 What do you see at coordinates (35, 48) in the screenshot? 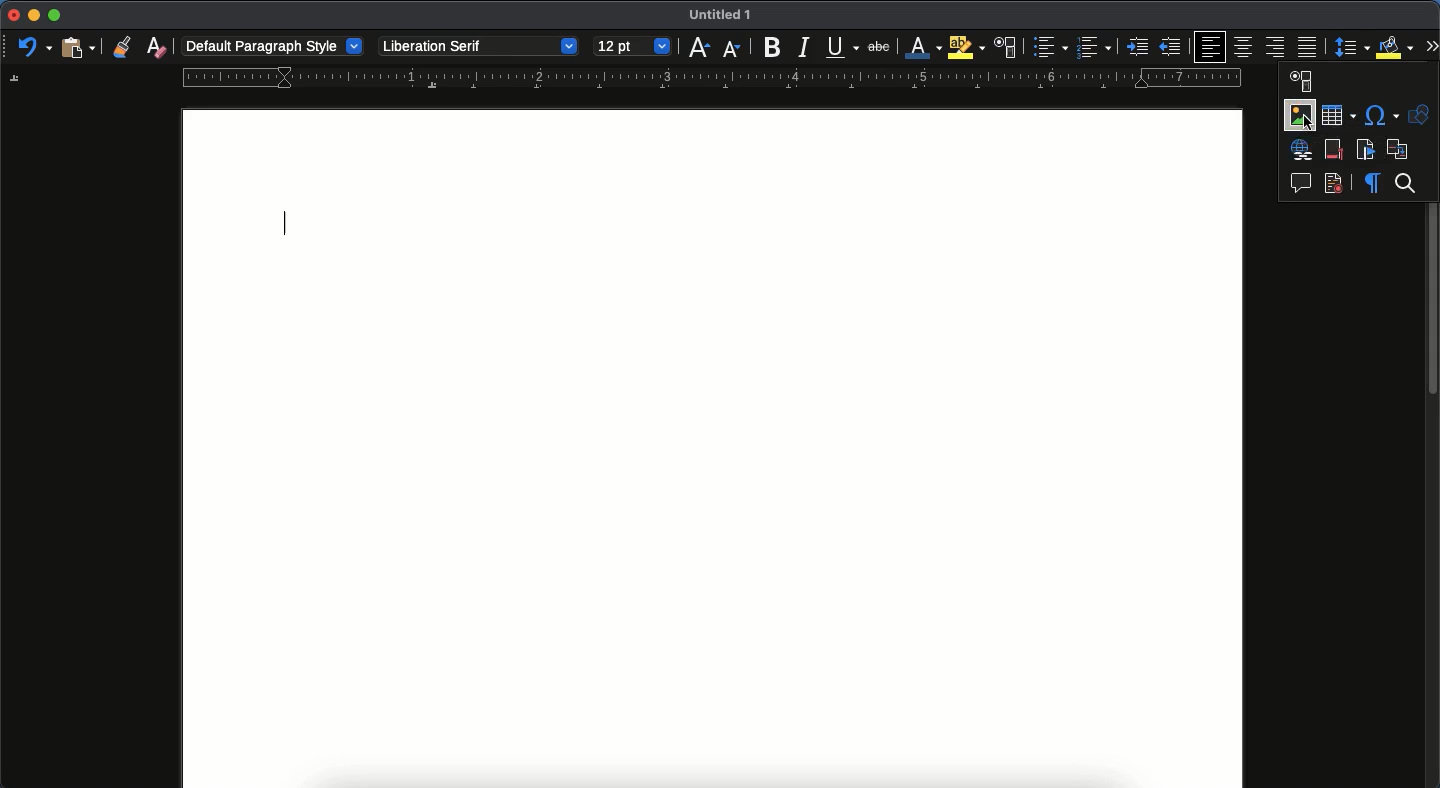
I see `undo` at bounding box center [35, 48].